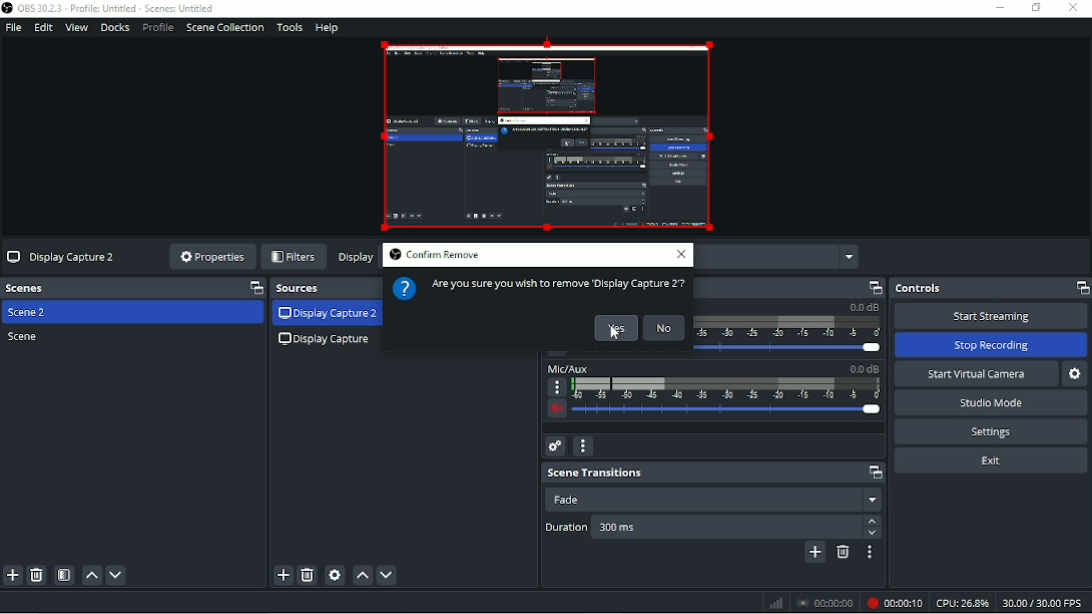 This screenshot has height=614, width=1092. What do you see at coordinates (433, 255) in the screenshot?
I see `Confirm remove` at bounding box center [433, 255].